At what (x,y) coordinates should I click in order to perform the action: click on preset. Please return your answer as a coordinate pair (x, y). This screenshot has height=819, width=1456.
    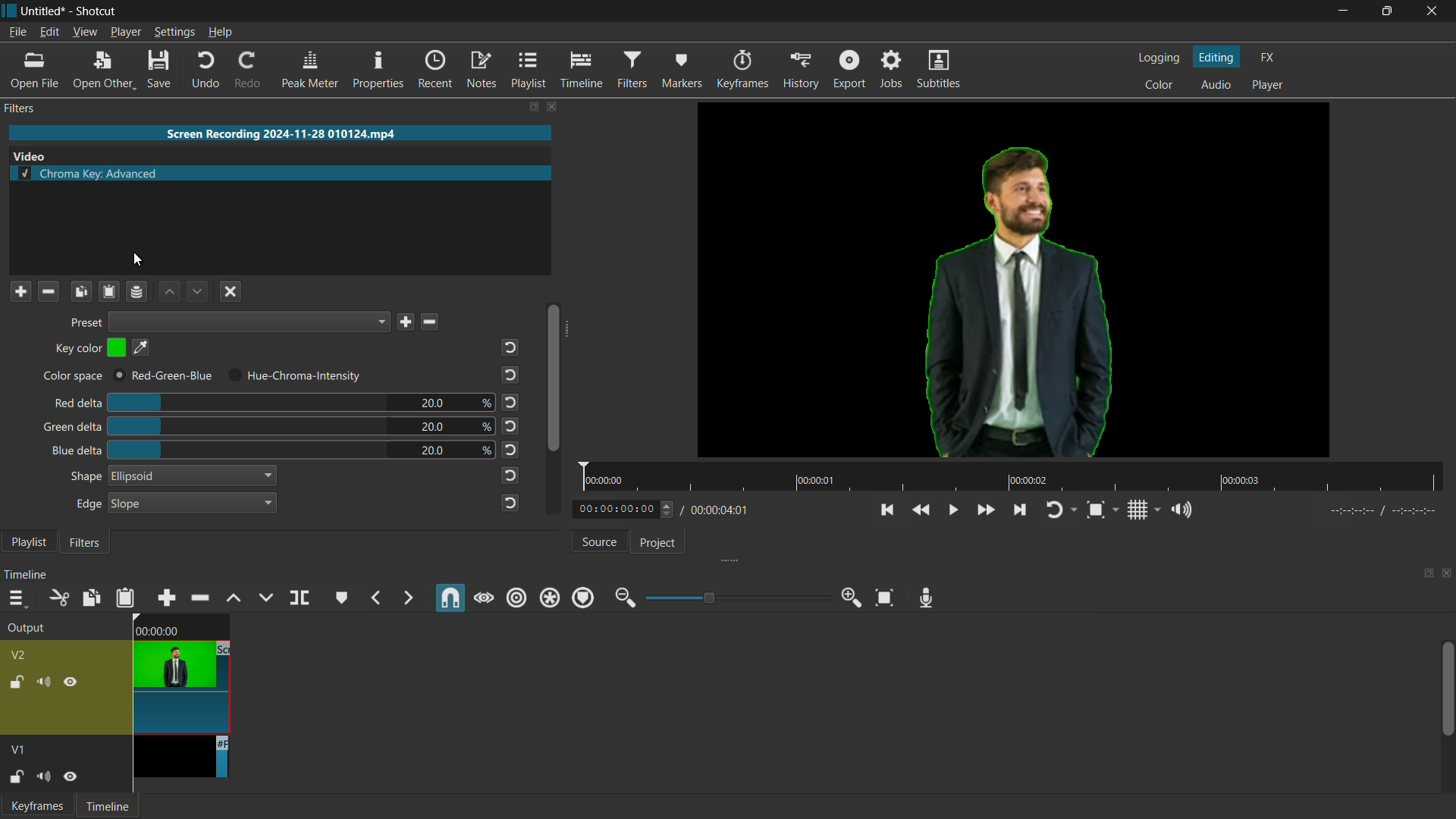
    Looking at the image, I should click on (84, 324).